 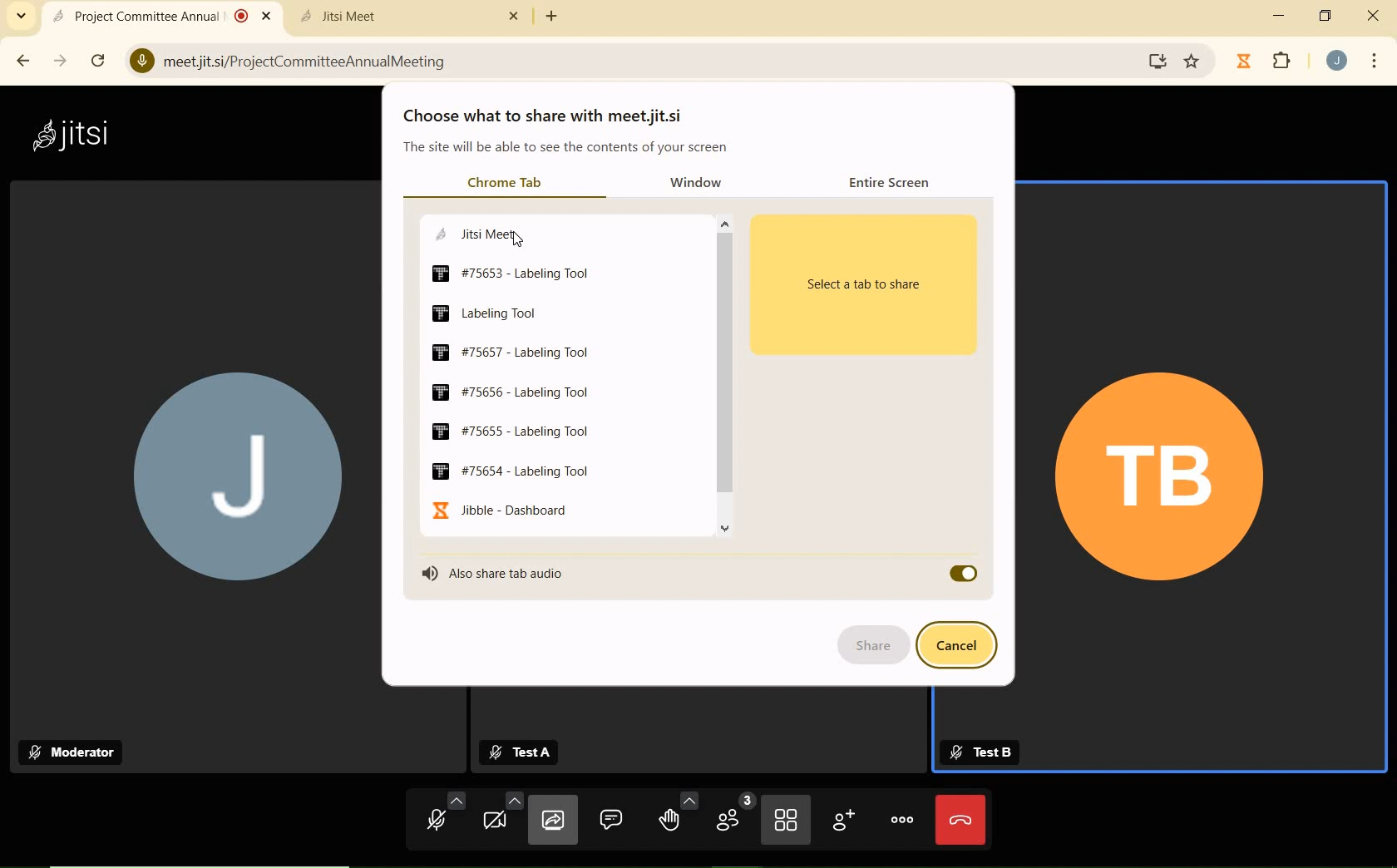 I want to click on share, so click(x=871, y=645).